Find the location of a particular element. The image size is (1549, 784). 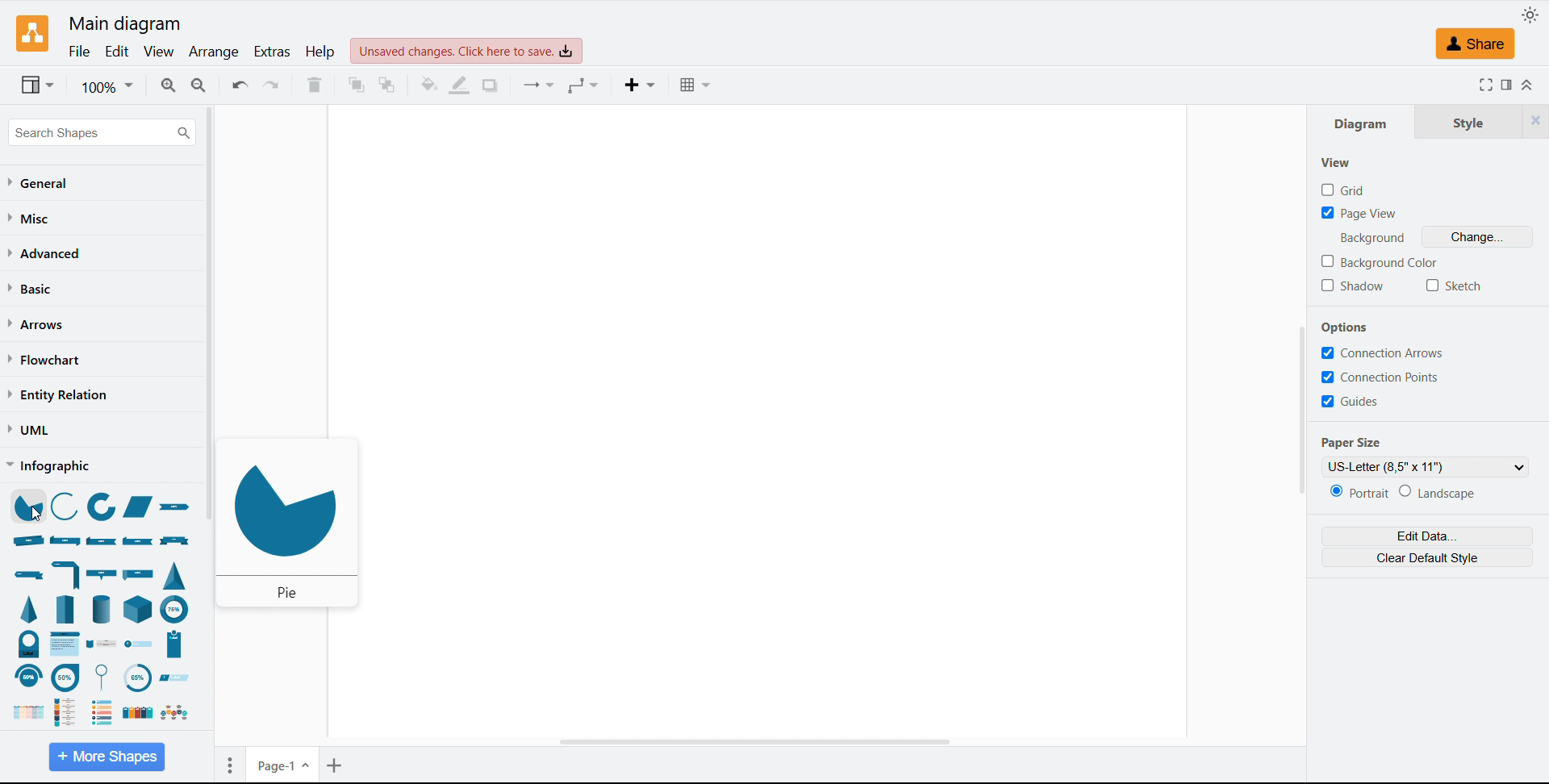

Collapse  is located at coordinates (1529, 85).